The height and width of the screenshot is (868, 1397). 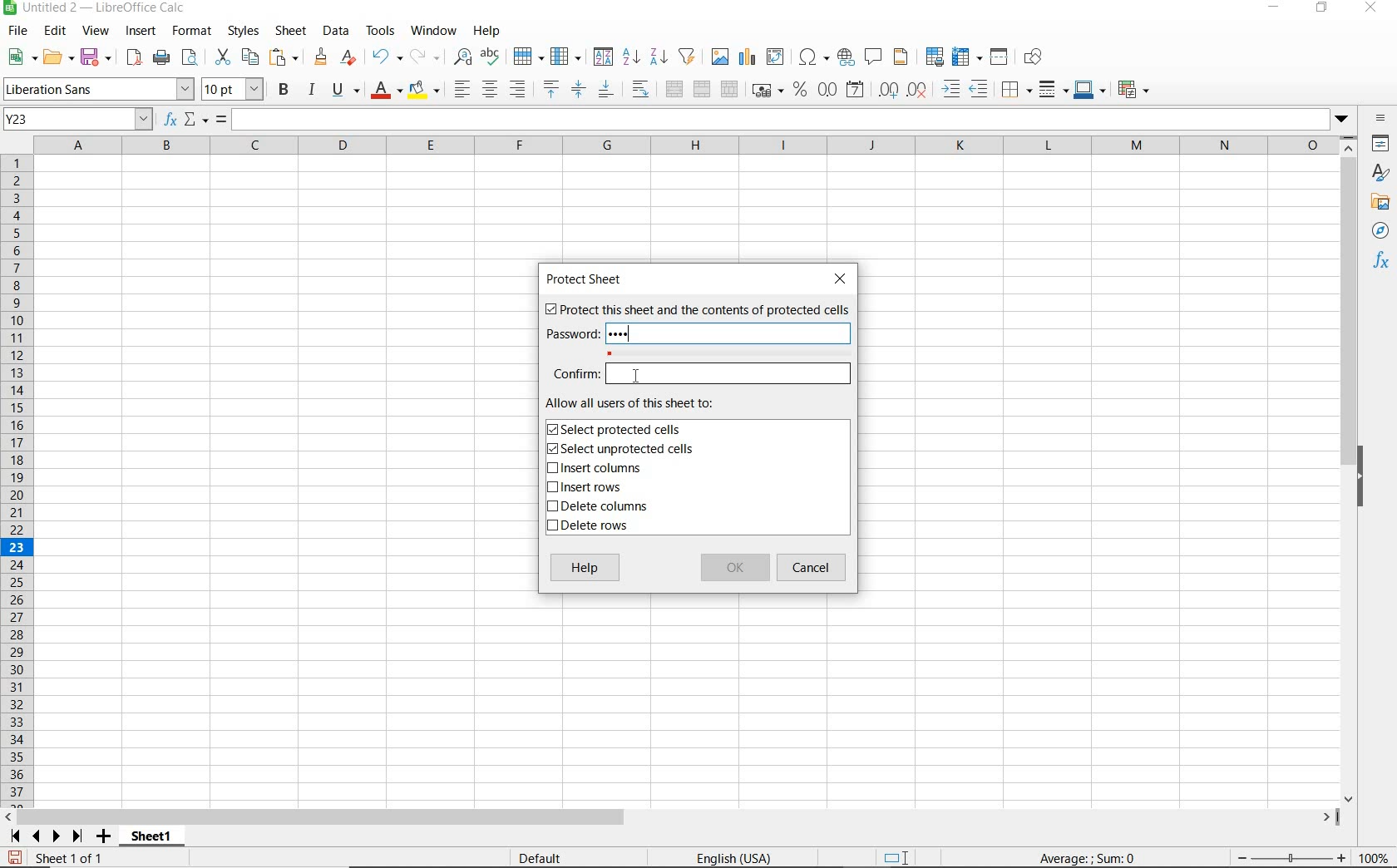 What do you see at coordinates (658, 57) in the screenshot?
I see `SORT DESCENDING` at bounding box center [658, 57].